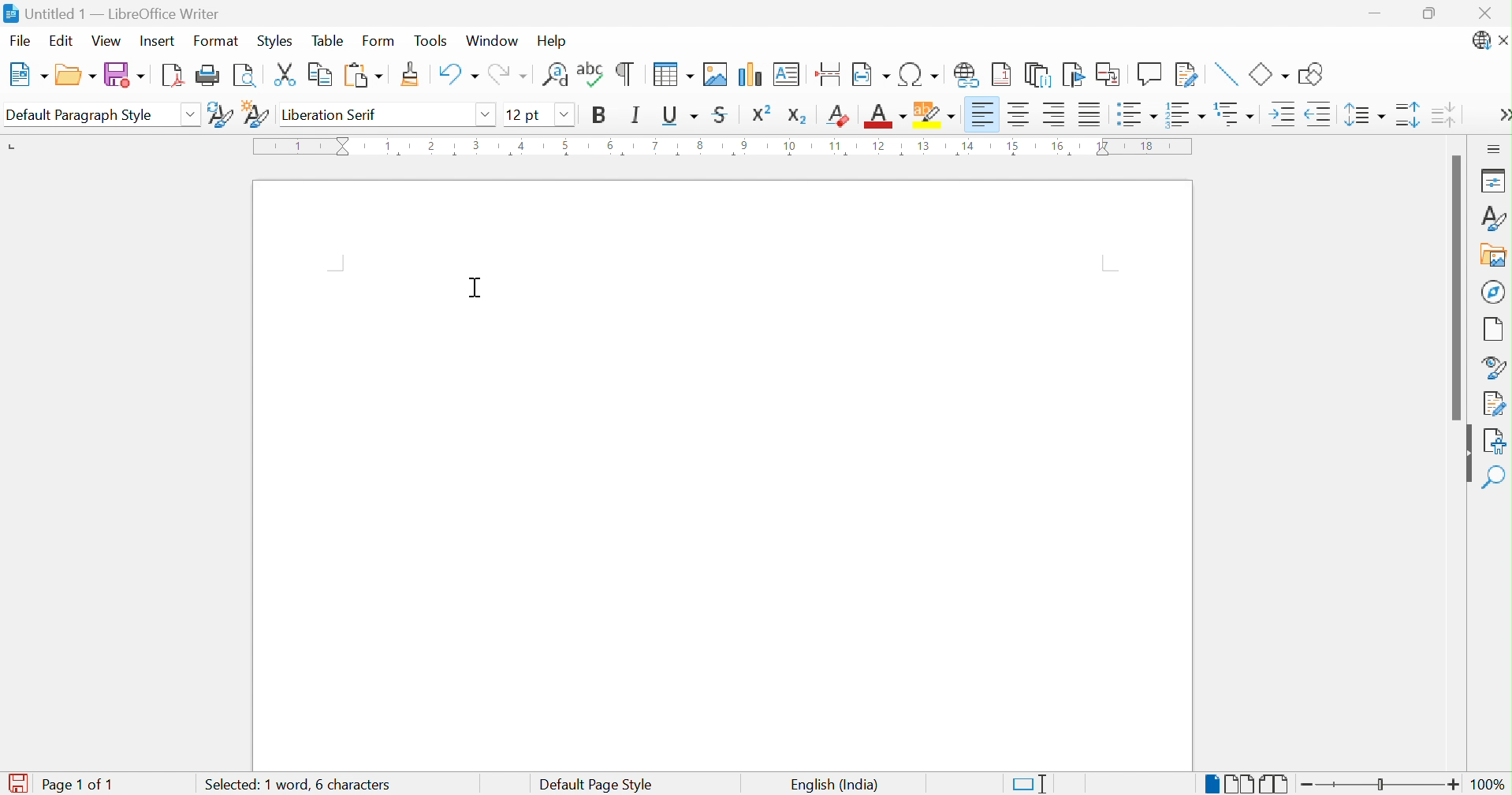  I want to click on Align Right, so click(1055, 115).